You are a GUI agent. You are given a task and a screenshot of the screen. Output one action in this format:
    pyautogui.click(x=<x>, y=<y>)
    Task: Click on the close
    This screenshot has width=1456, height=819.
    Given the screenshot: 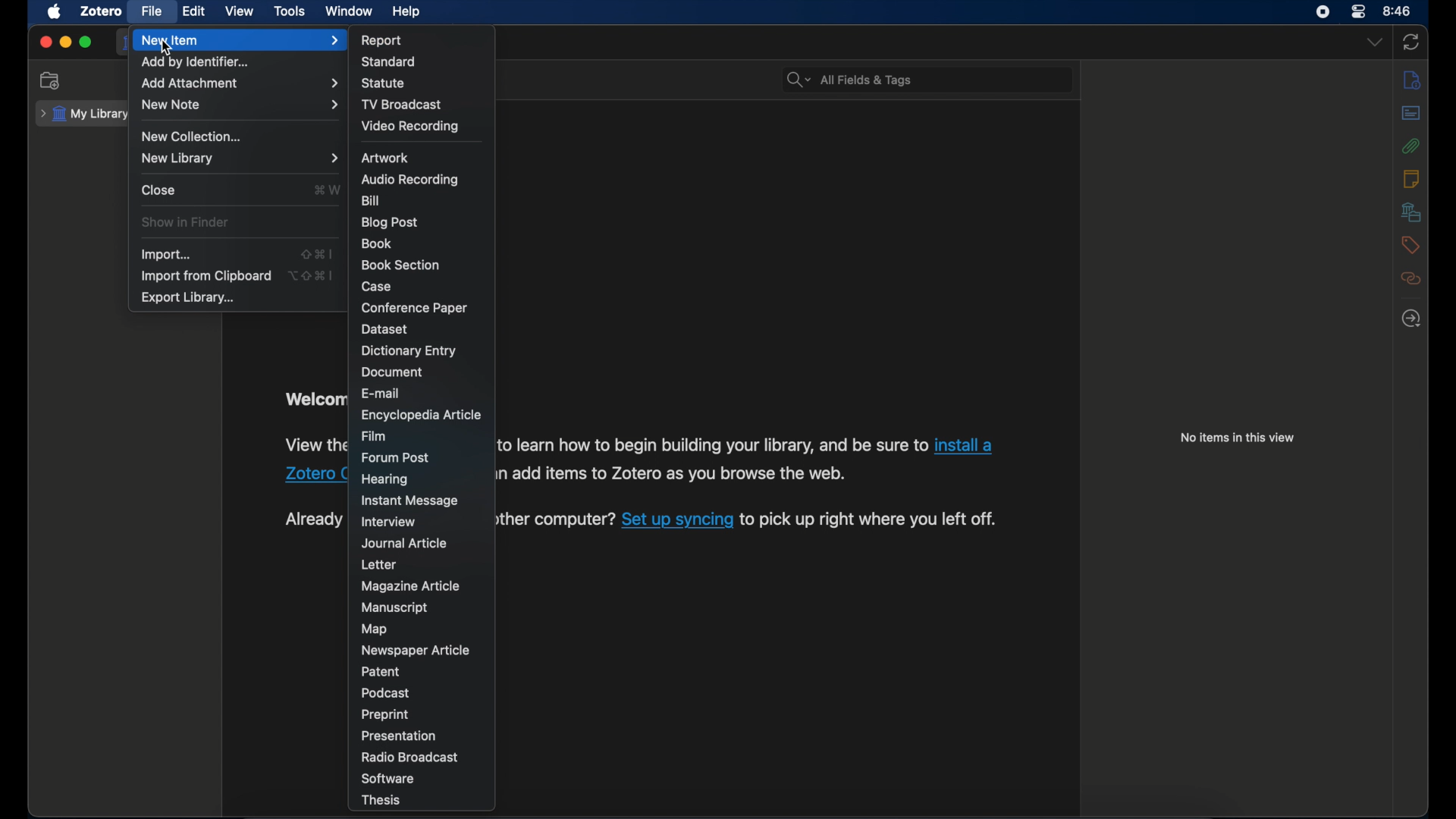 What is the action you would take?
    pyautogui.click(x=45, y=42)
    